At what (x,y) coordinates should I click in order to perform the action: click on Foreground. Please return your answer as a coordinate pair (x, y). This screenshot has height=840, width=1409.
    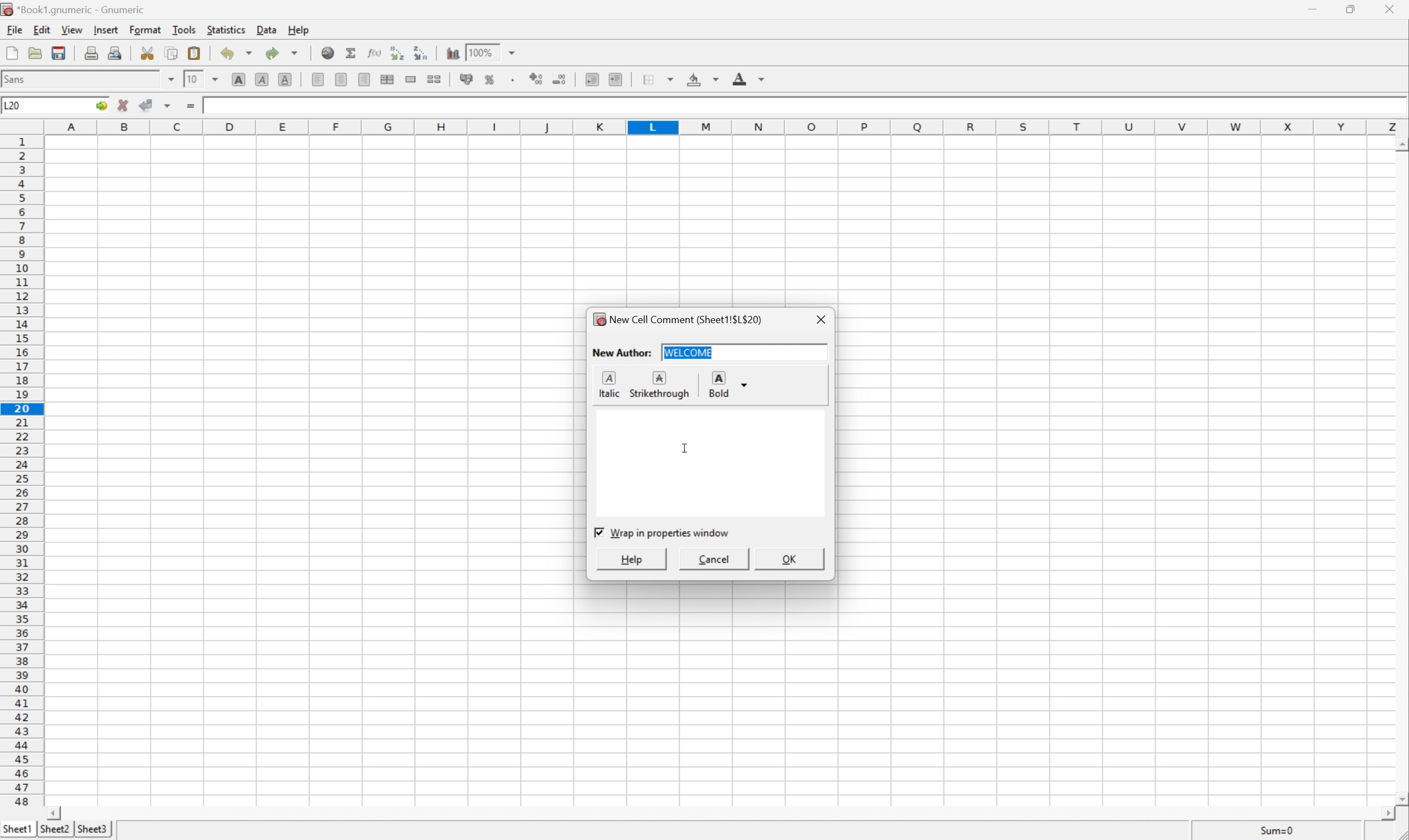
    Looking at the image, I should click on (749, 78).